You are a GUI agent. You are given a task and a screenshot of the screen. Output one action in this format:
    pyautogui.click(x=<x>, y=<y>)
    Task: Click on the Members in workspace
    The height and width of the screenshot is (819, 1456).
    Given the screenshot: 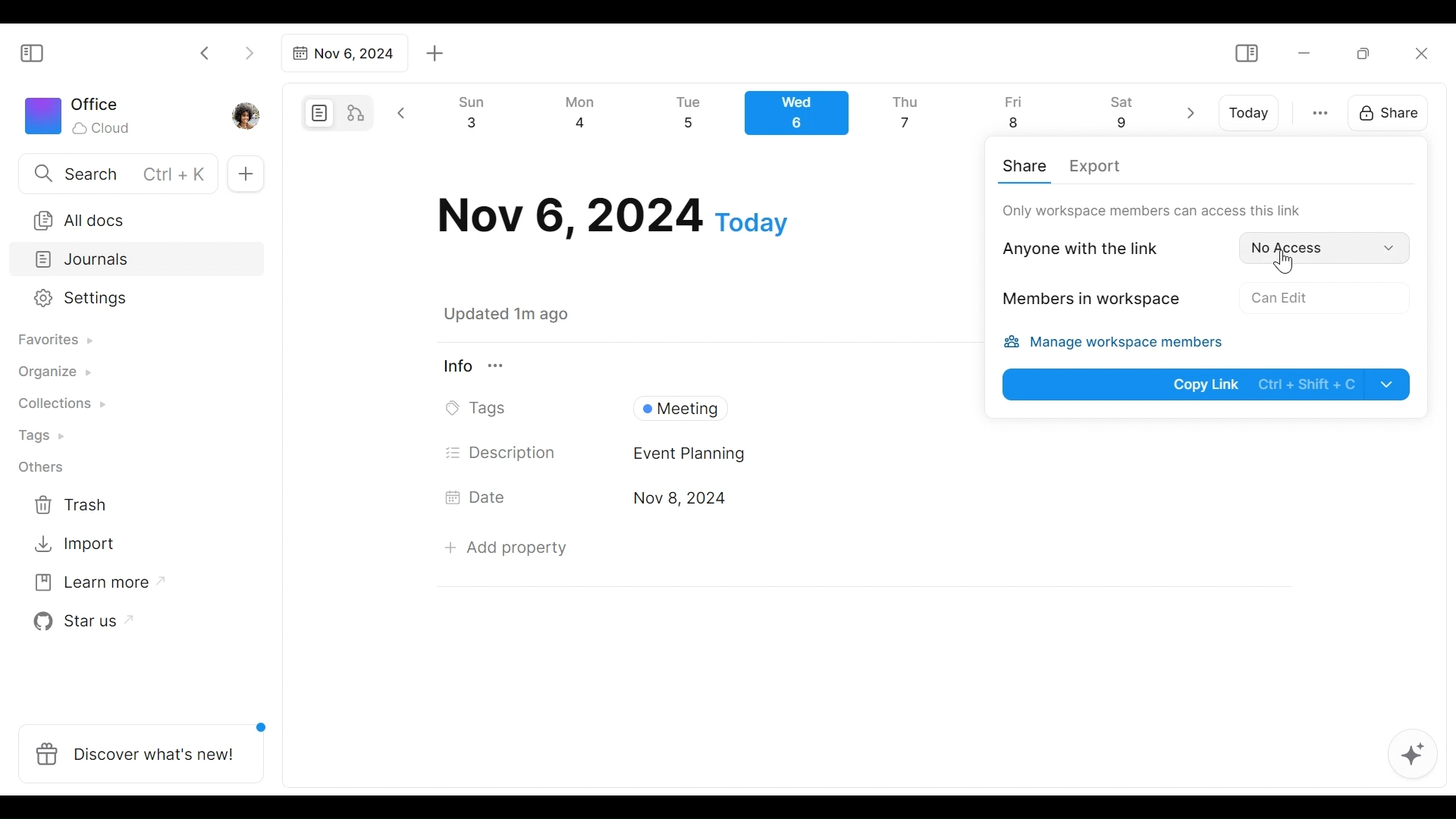 What is the action you would take?
    pyautogui.click(x=1087, y=301)
    